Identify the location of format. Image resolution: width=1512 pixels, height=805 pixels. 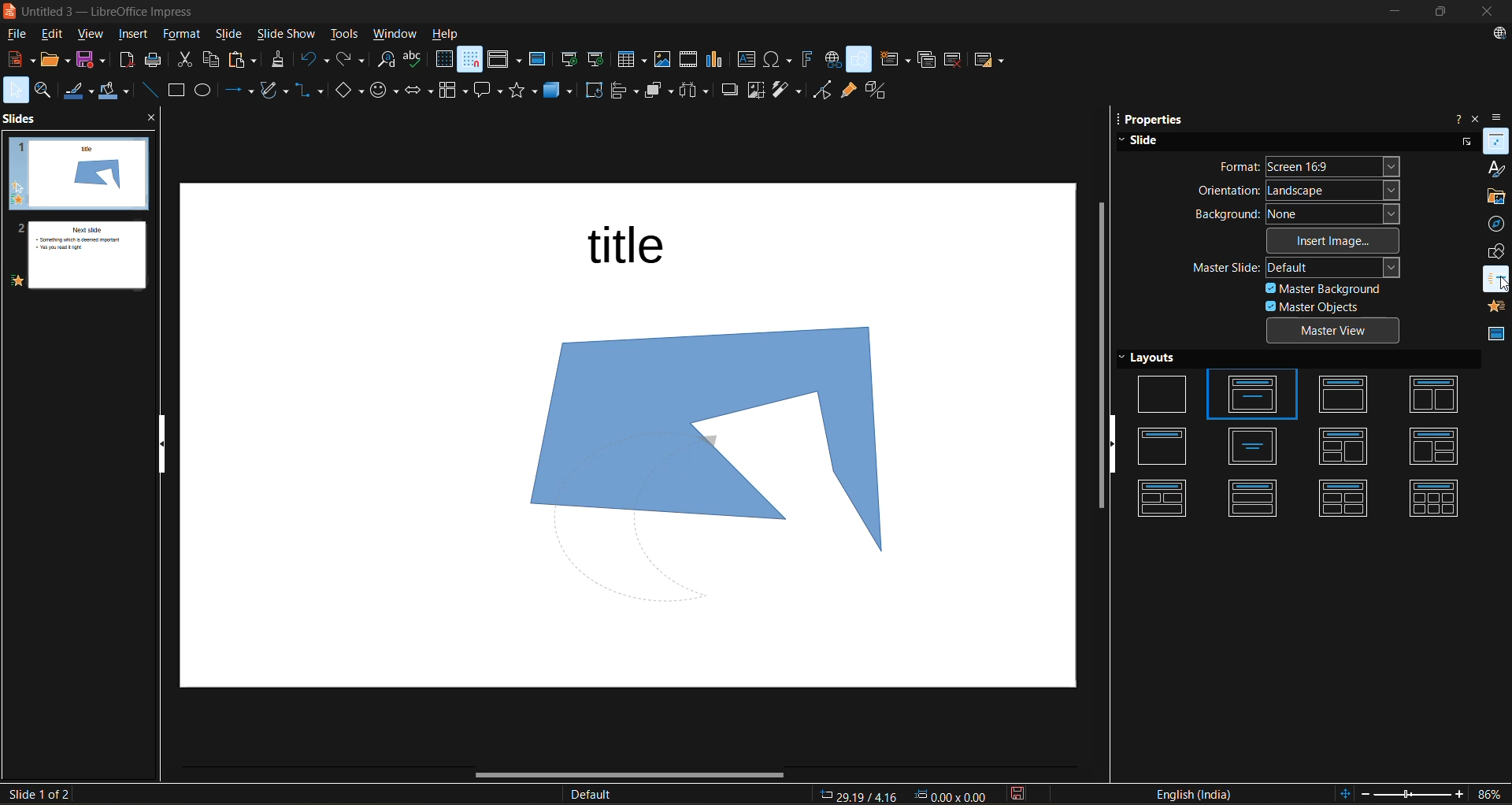
(1312, 165).